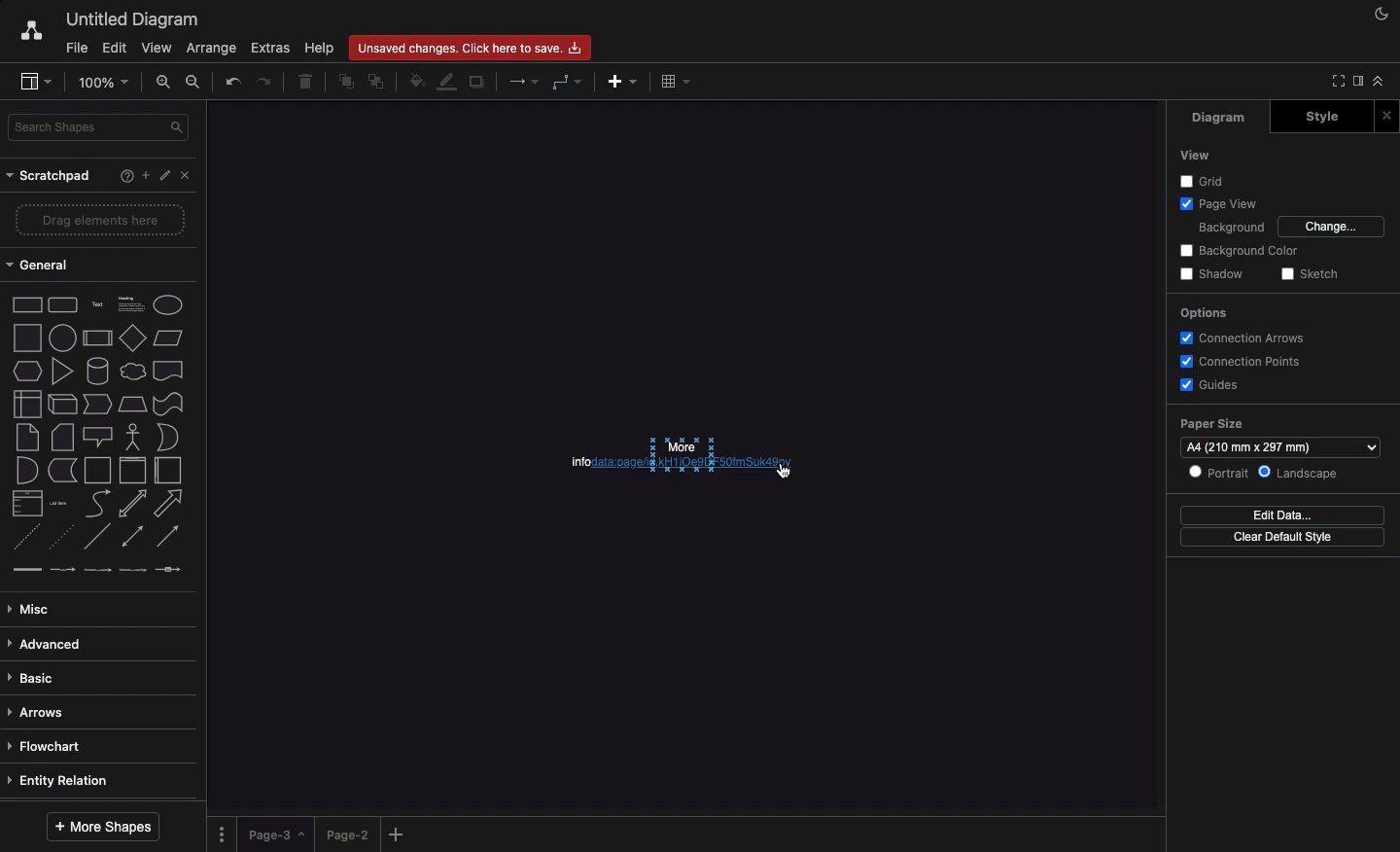 The height and width of the screenshot is (852, 1400). I want to click on and, so click(28, 471).